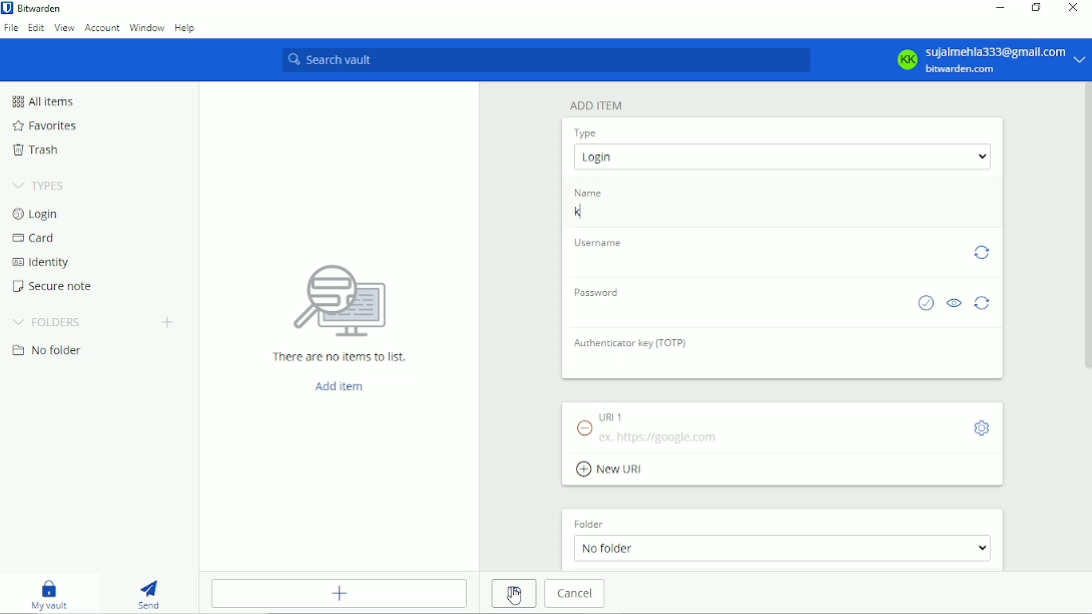  I want to click on Authenticator key (TOTP), so click(629, 342).